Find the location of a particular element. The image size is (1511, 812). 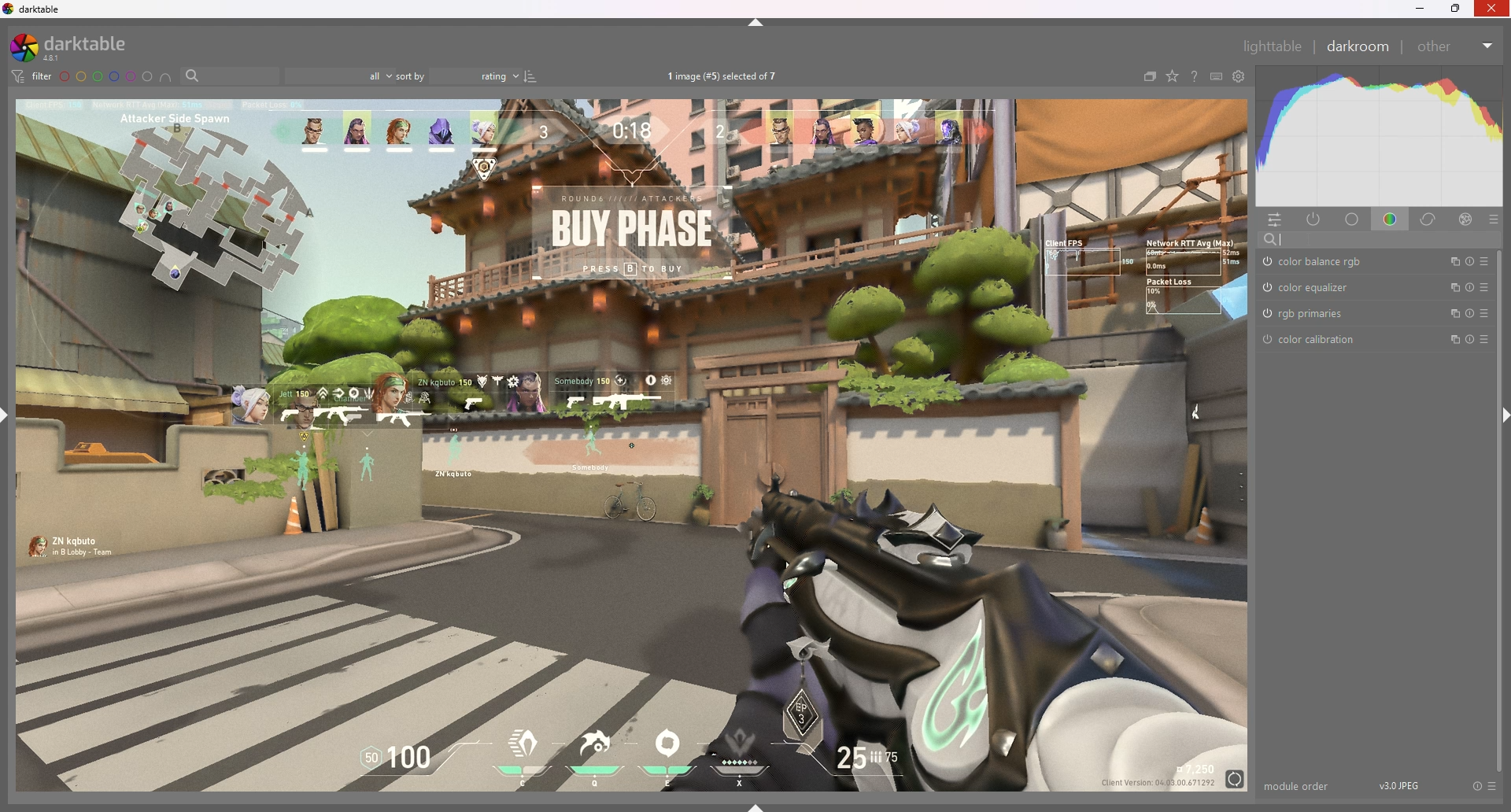

show global preference is located at coordinates (1238, 76).